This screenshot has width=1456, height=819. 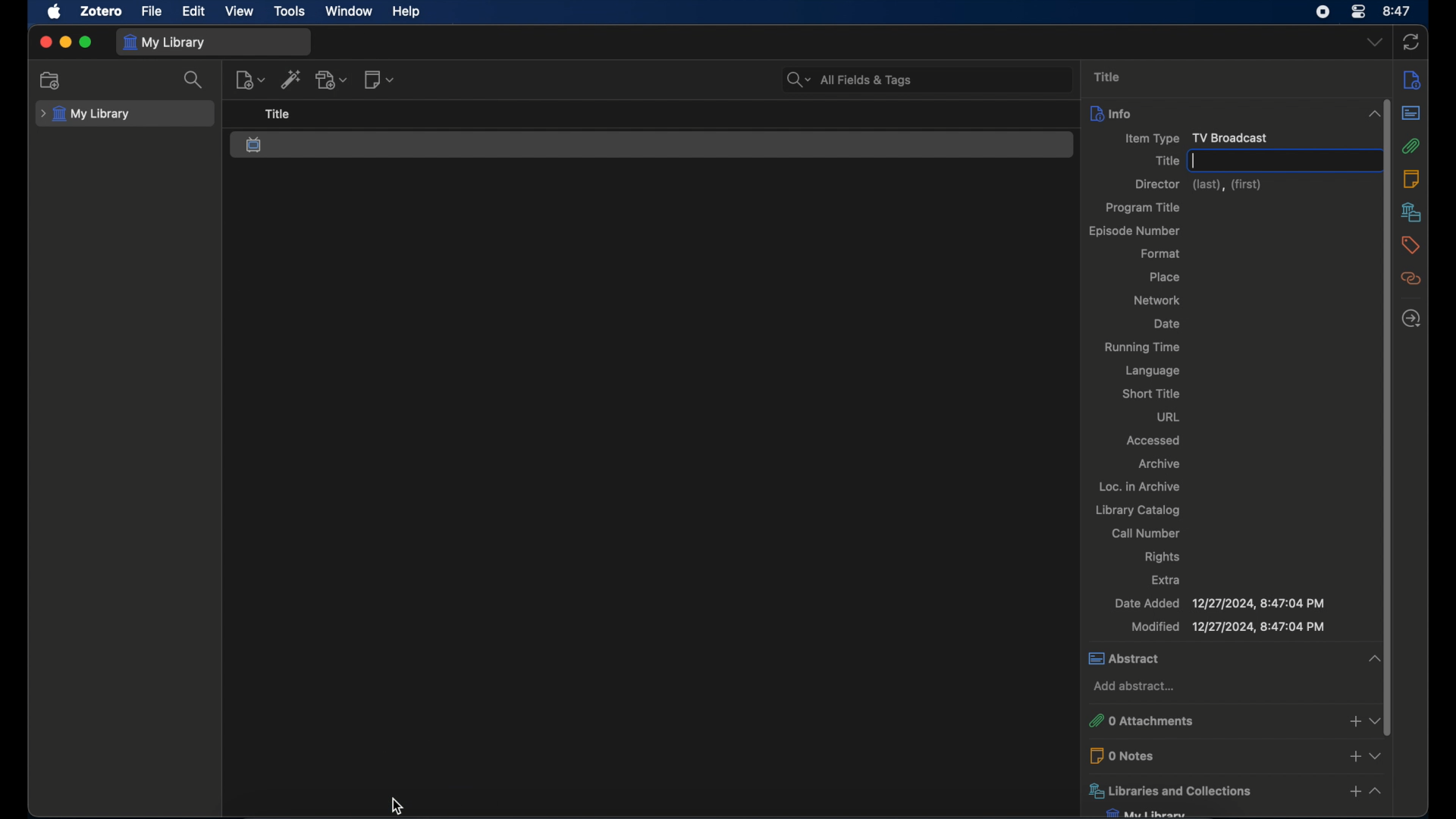 I want to click on my library, so click(x=86, y=115).